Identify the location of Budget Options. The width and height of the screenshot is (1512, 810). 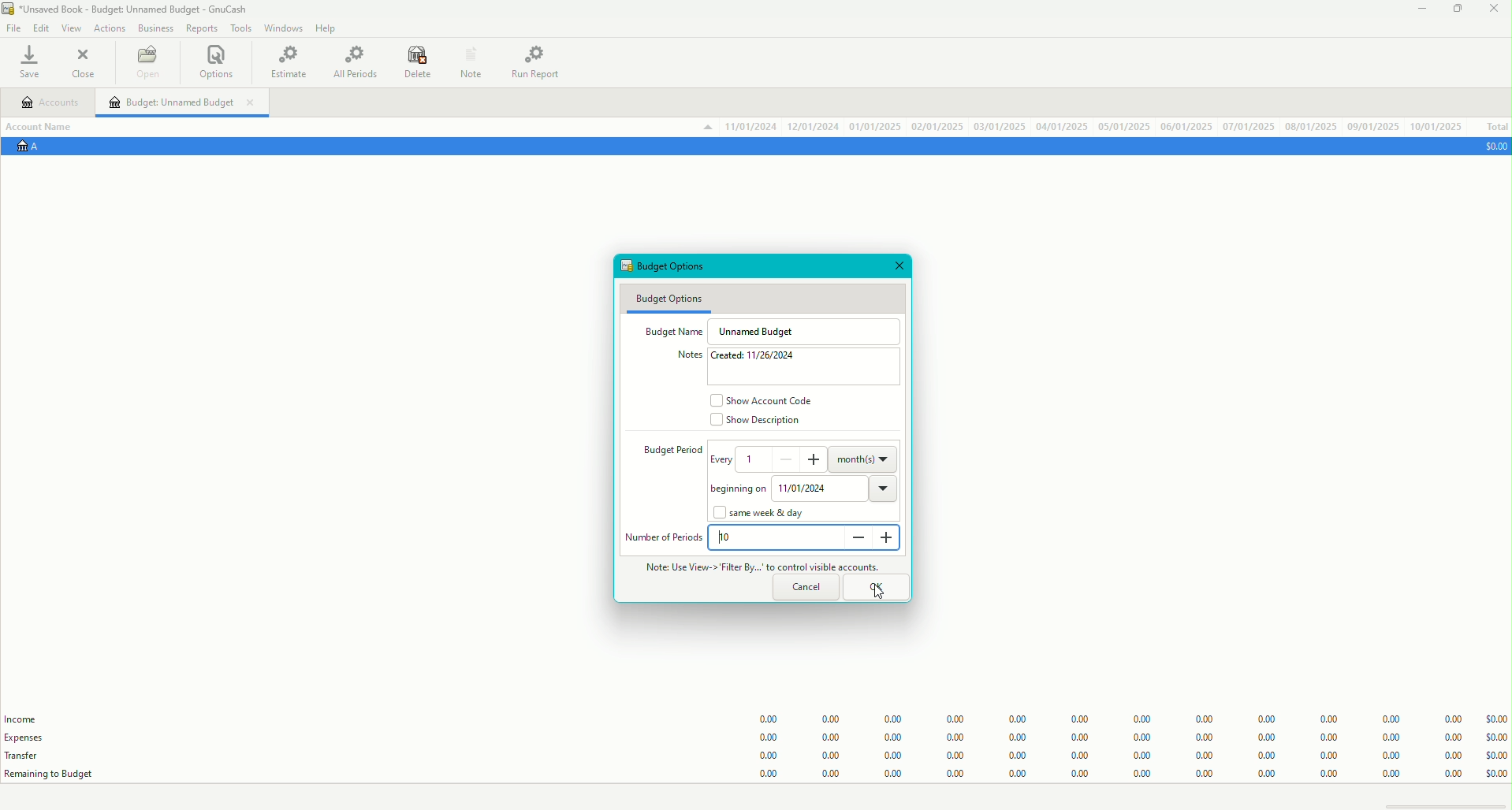
(669, 298).